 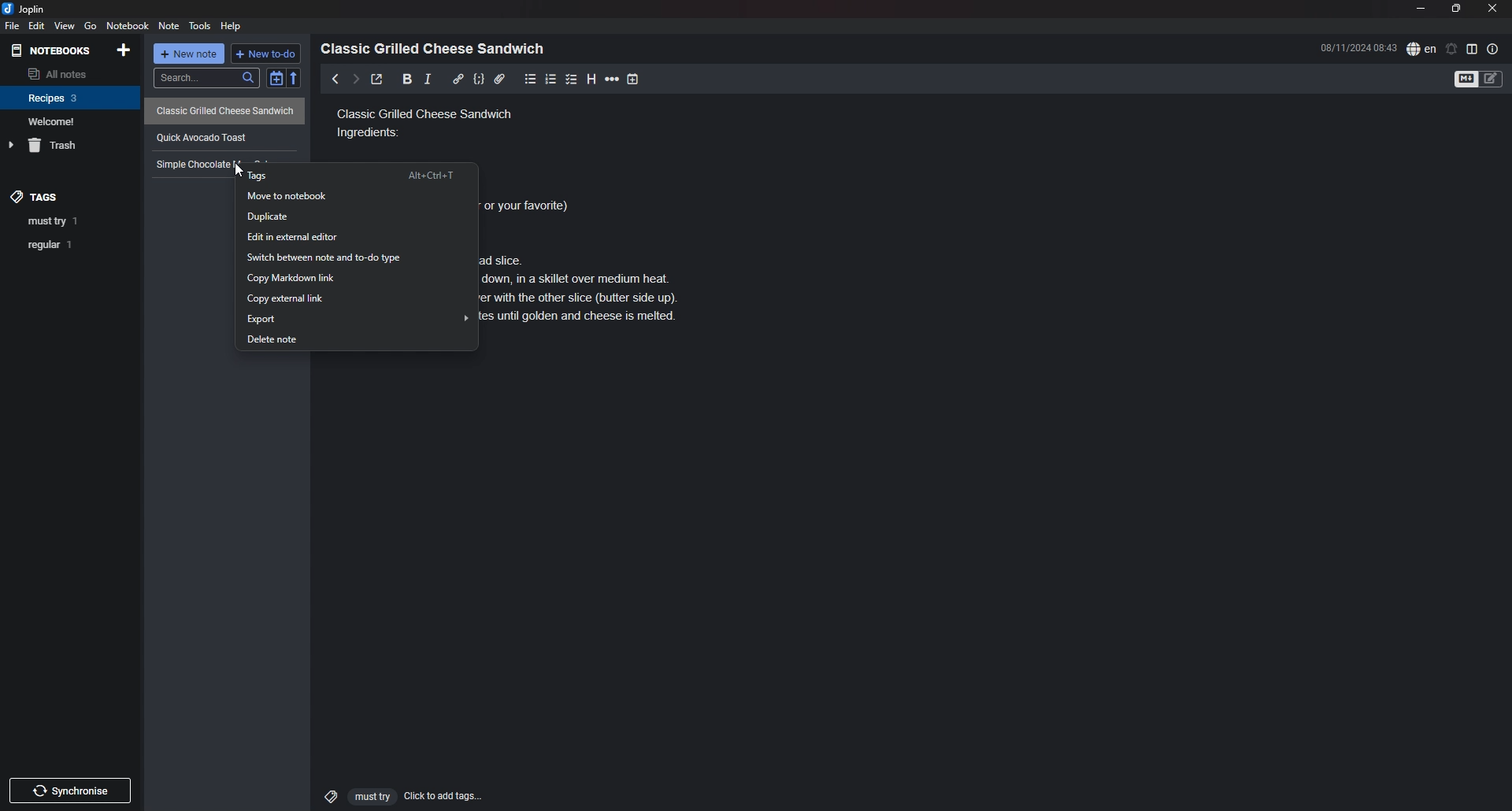 What do you see at coordinates (437, 49) in the screenshot?
I see `heading` at bounding box center [437, 49].